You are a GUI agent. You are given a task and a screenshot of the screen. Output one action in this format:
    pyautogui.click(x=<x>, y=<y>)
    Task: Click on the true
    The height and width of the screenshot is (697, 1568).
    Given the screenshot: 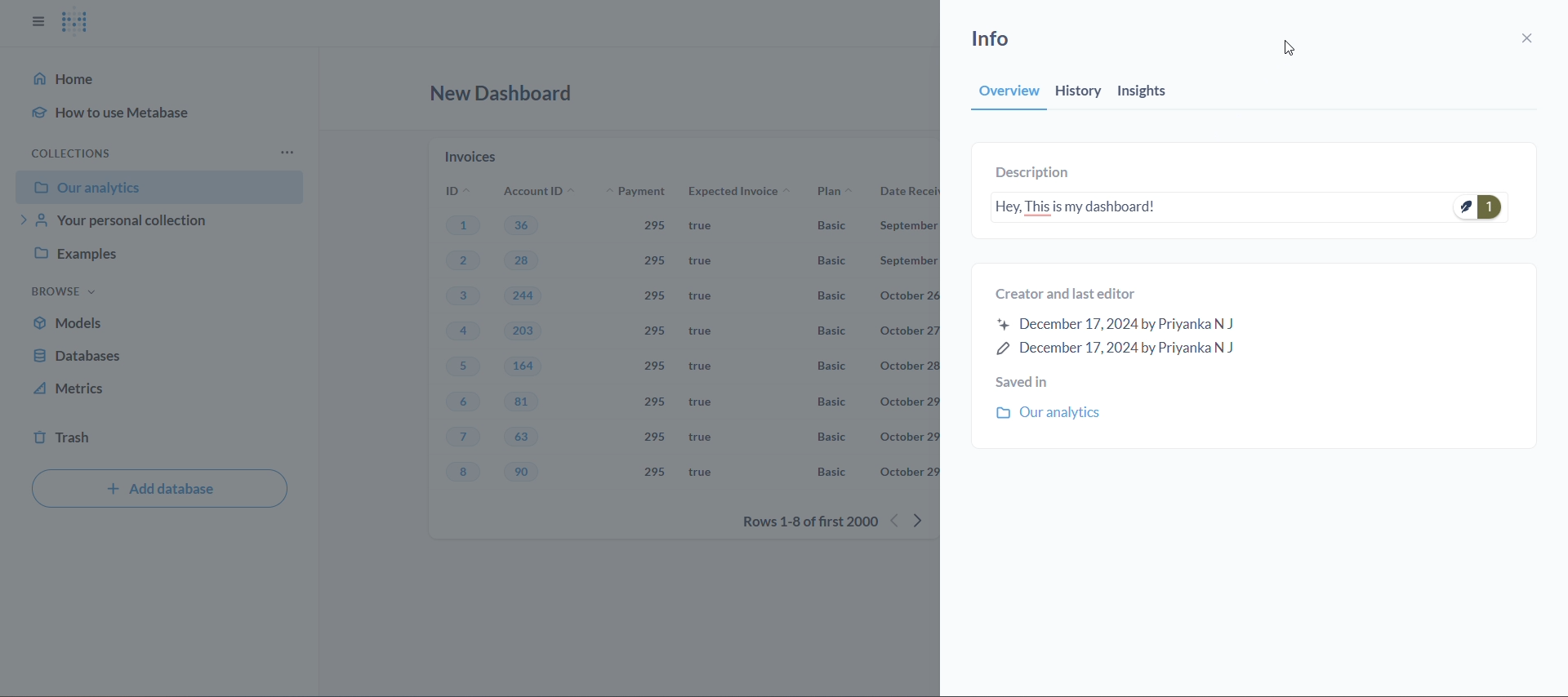 What is the action you would take?
    pyautogui.click(x=710, y=261)
    